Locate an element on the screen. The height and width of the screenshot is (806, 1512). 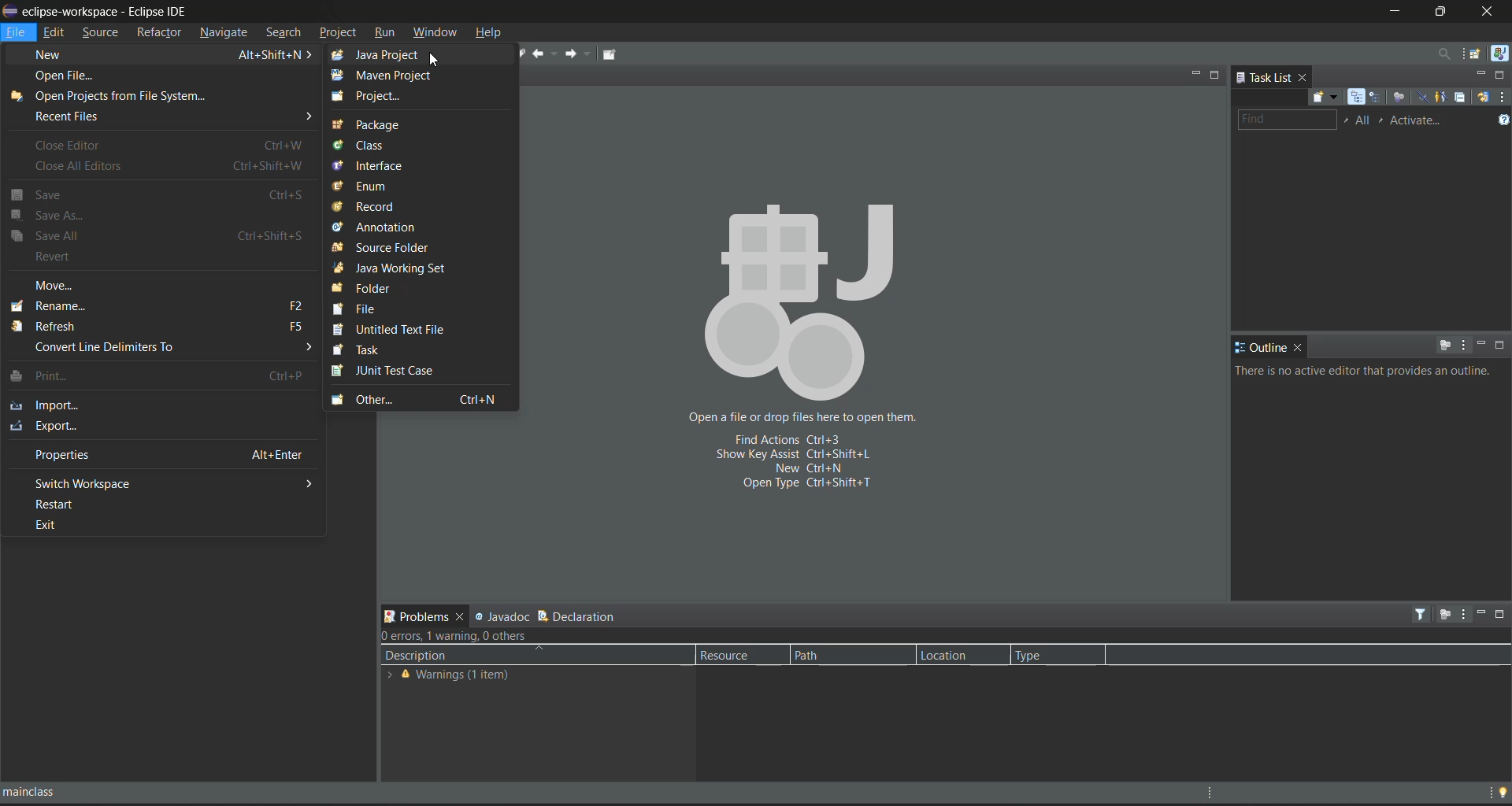
package is located at coordinates (383, 126).